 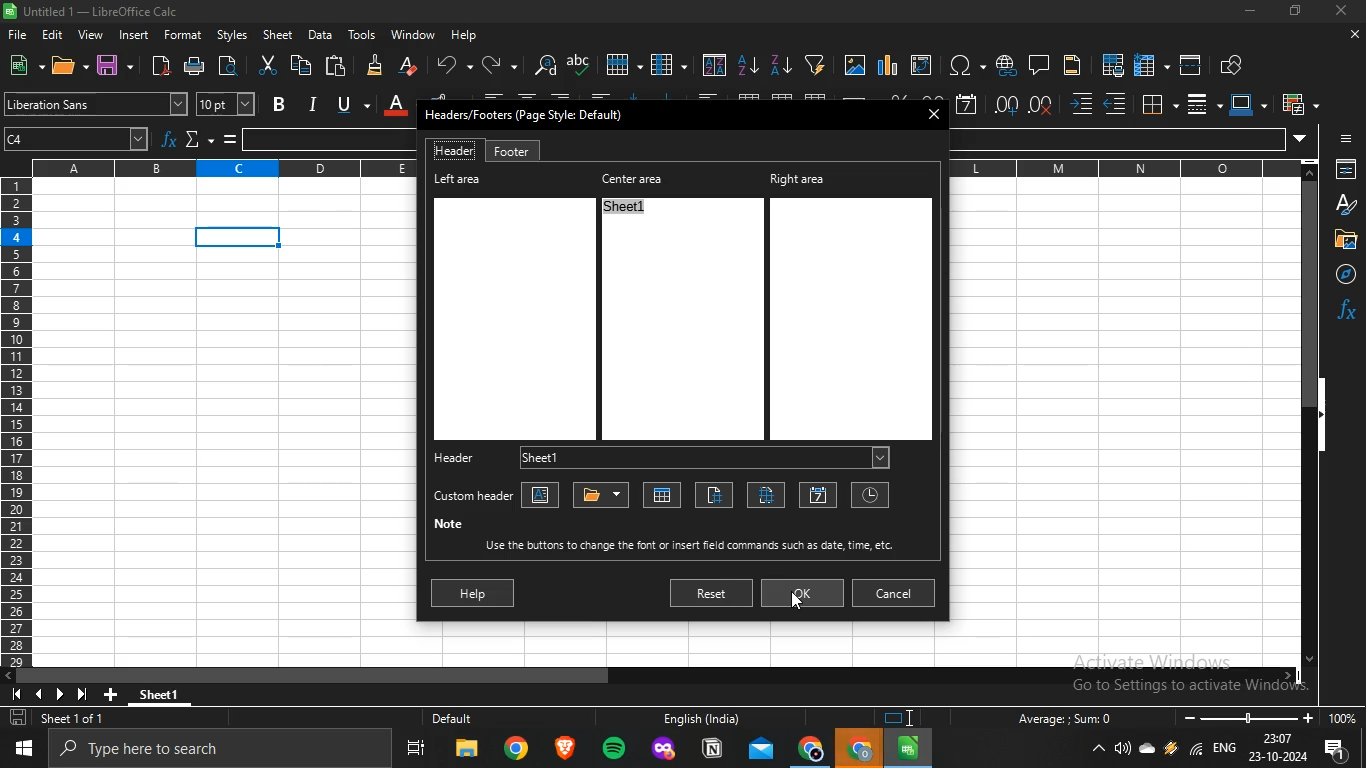 I want to click on text attributes, so click(x=543, y=495).